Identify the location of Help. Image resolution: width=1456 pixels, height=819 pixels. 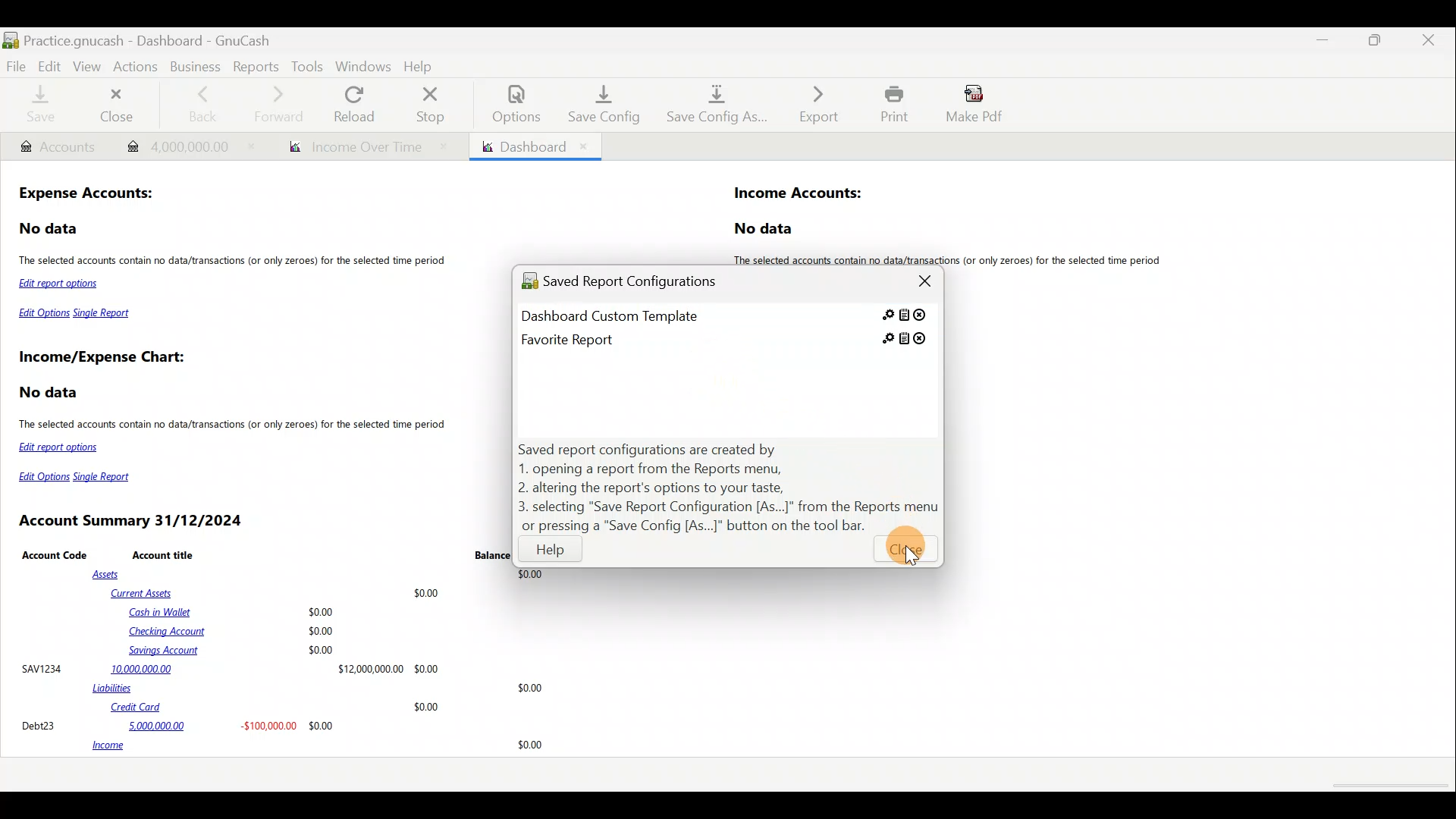
(551, 553).